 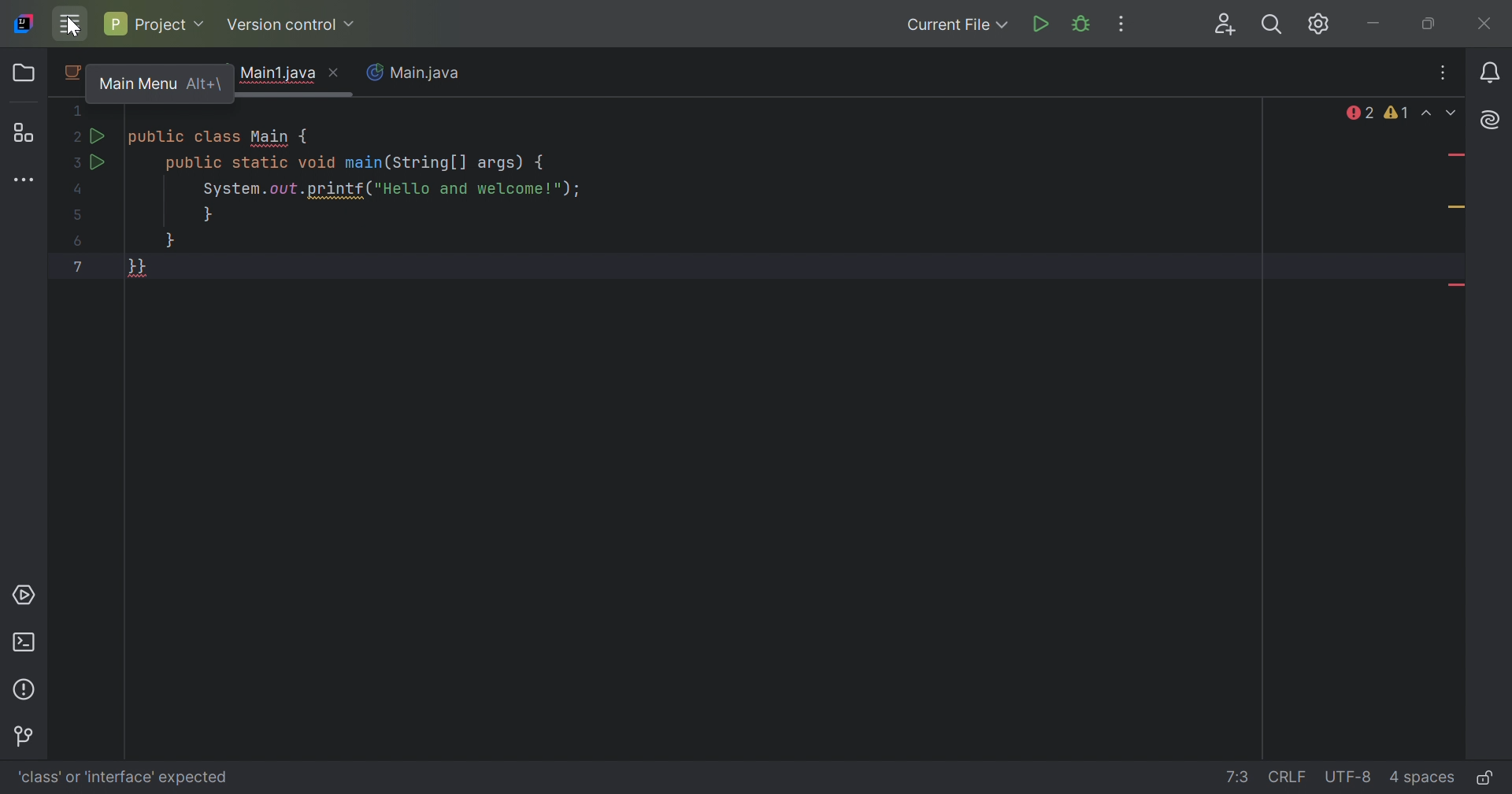 What do you see at coordinates (1491, 74) in the screenshot?
I see `Notifications` at bounding box center [1491, 74].